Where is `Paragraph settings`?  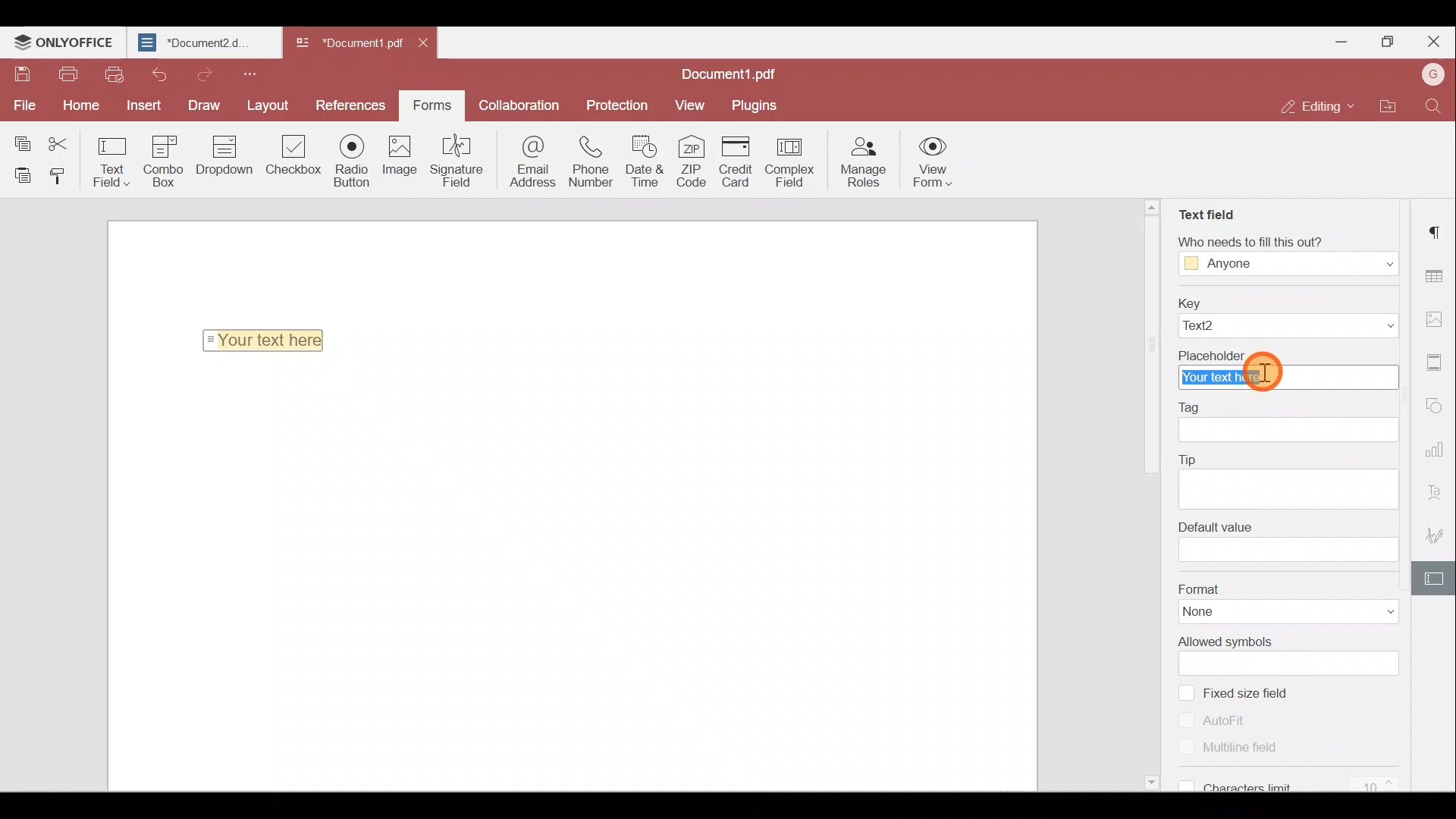
Paragraph settings is located at coordinates (1437, 231).